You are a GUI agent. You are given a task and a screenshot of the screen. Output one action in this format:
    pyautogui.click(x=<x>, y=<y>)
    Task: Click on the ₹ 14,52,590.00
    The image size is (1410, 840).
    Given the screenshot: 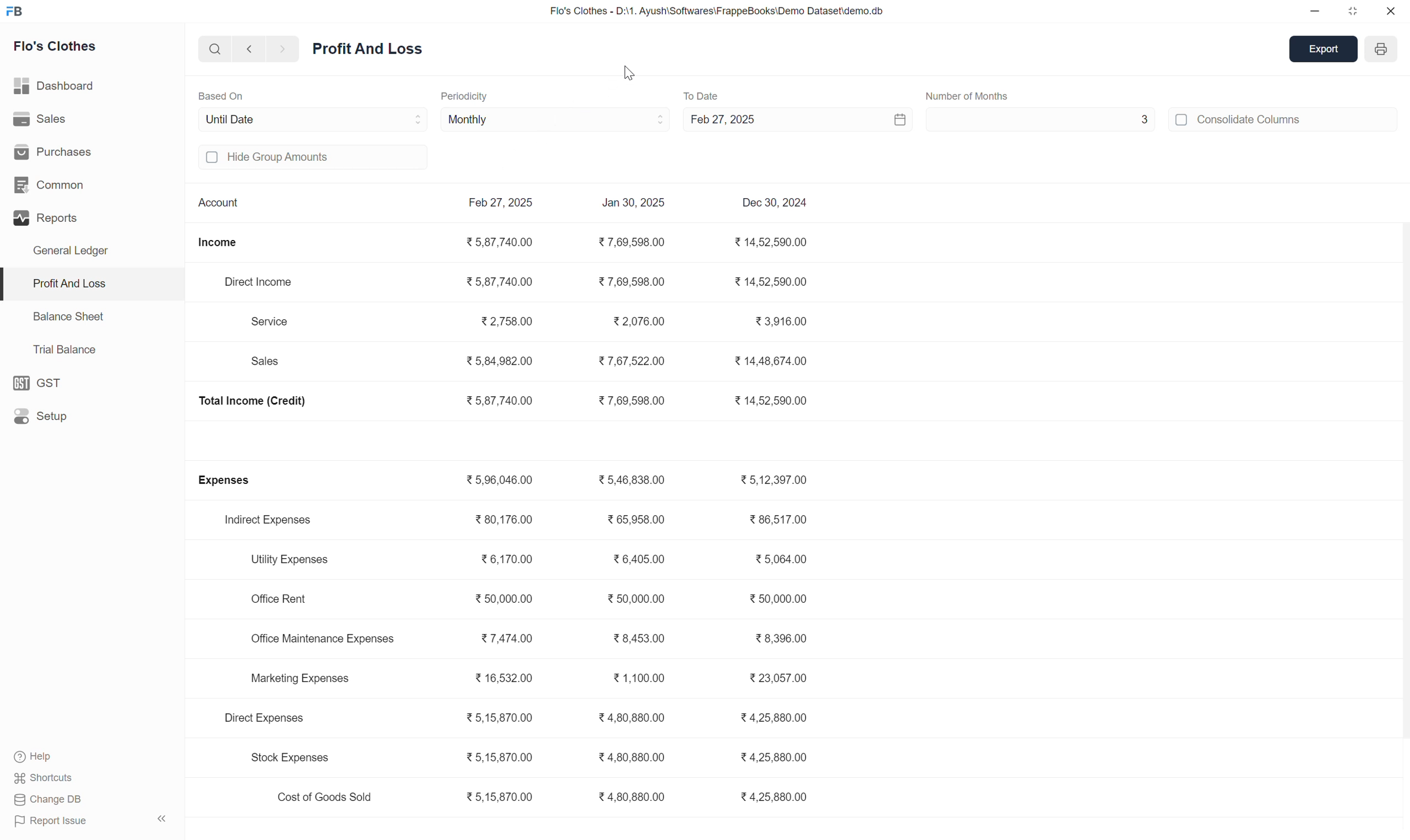 What is the action you would take?
    pyautogui.click(x=781, y=400)
    